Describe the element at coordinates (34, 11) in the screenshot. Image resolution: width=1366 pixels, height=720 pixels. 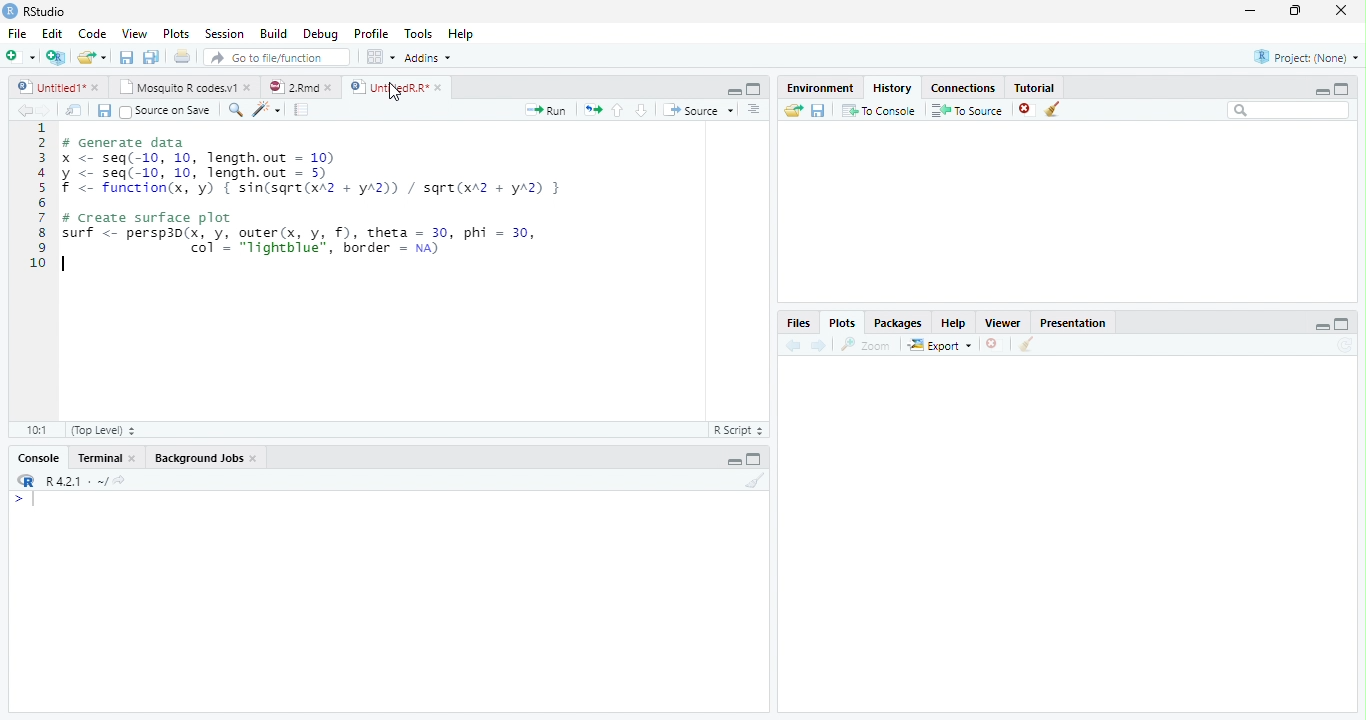
I see `RStudio` at that location.